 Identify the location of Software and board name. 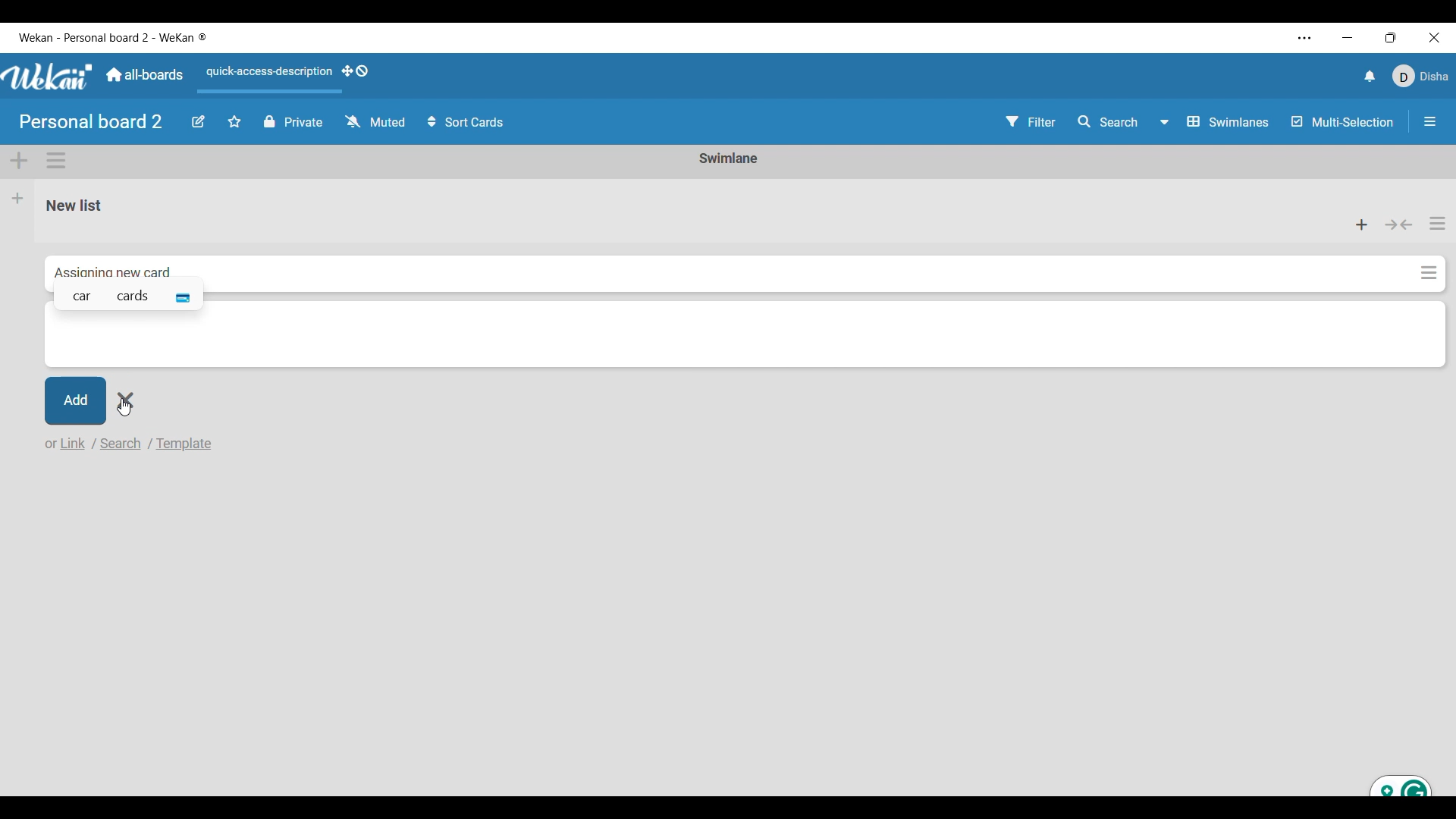
(112, 38).